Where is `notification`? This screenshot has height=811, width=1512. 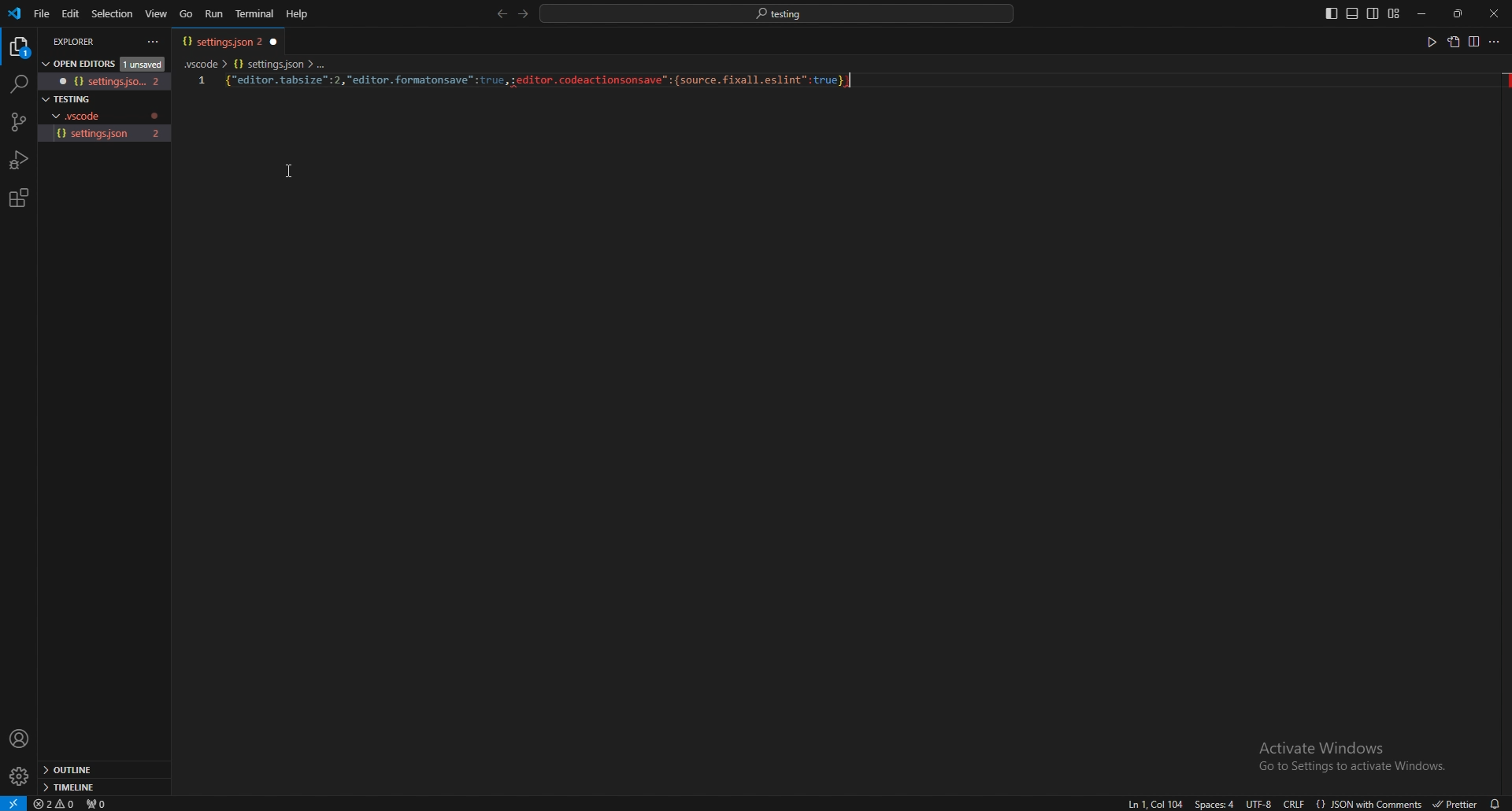 notification is located at coordinates (1493, 803).